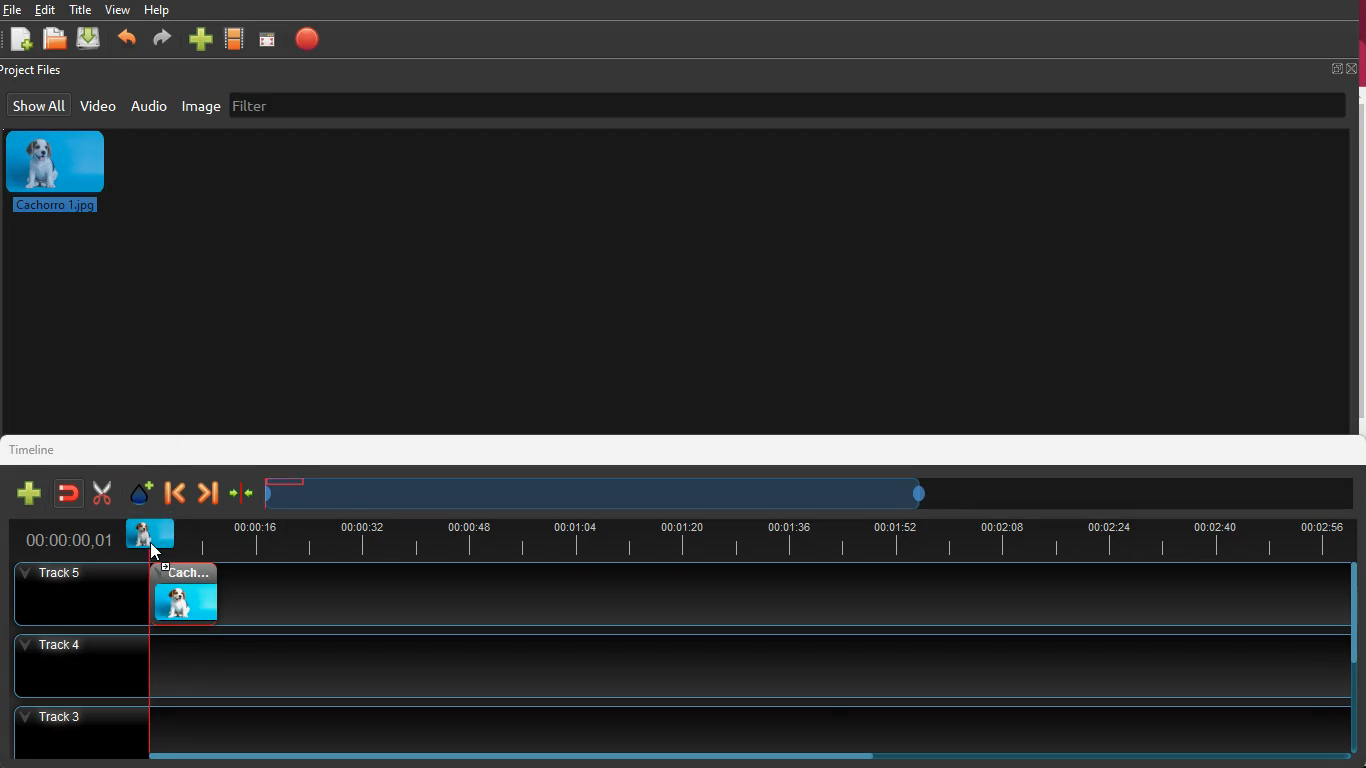 Image resolution: width=1366 pixels, height=768 pixels. Describe the element at coordinates (151, 106) in the screenshot. I see `audio` at that location.